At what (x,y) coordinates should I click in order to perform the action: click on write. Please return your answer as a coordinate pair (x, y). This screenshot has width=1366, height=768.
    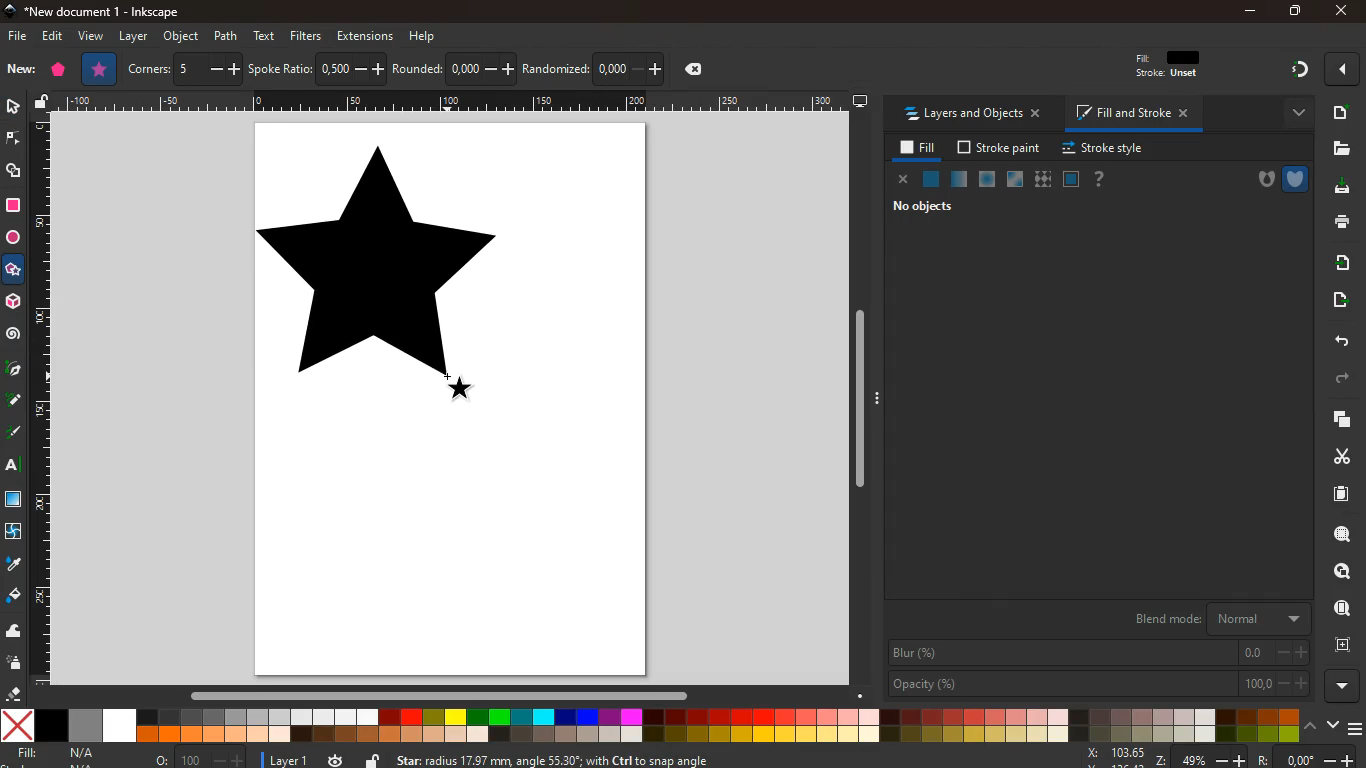
    Looking at the image, I should click on (14, 430).